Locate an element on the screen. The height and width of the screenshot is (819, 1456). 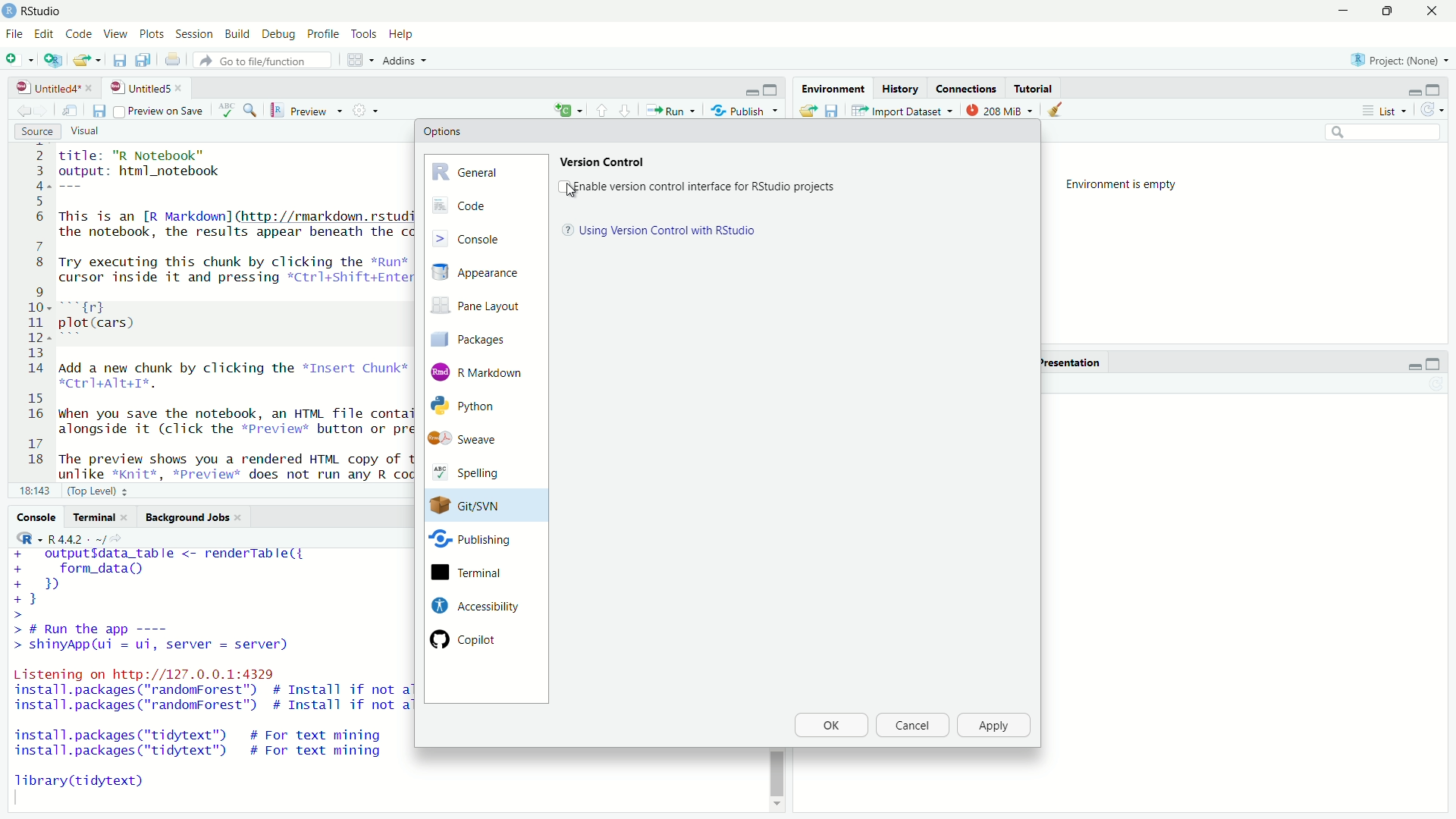
Git/SVN is located at coordinates (472, 506).